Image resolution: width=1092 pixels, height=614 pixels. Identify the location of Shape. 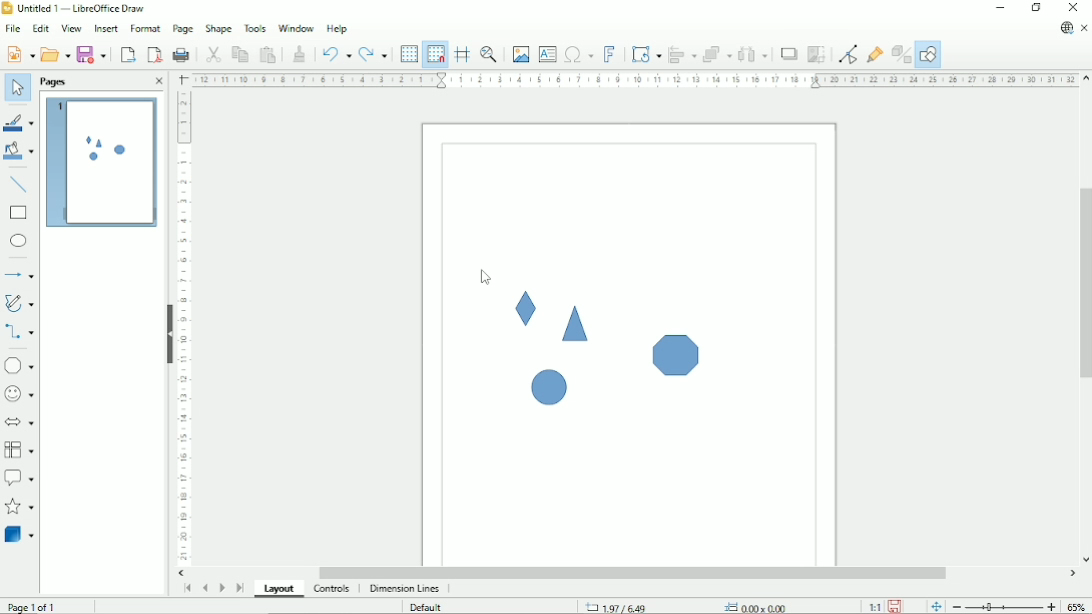
(218, 28).